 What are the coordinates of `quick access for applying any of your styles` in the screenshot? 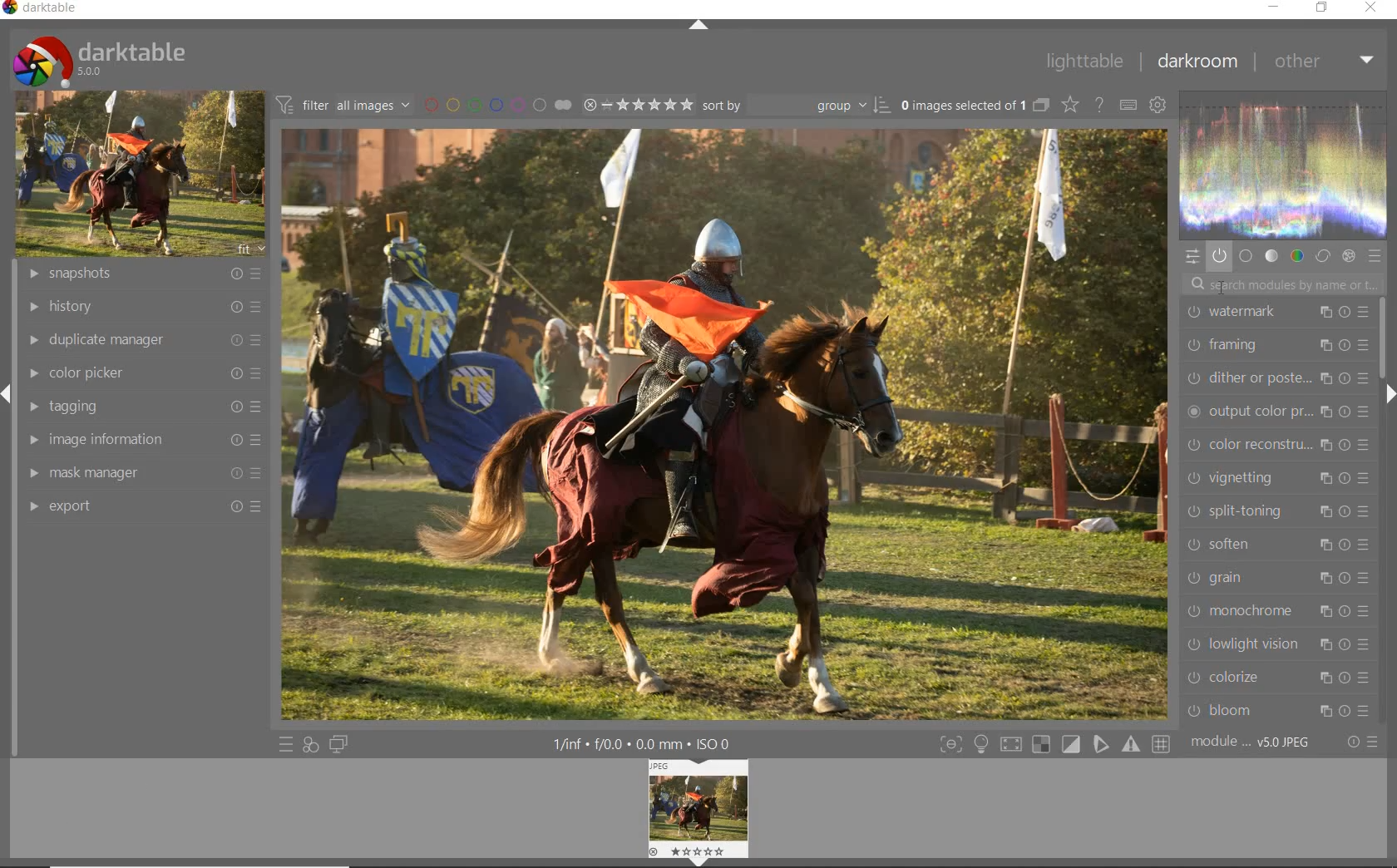 It's located at (309, 745).